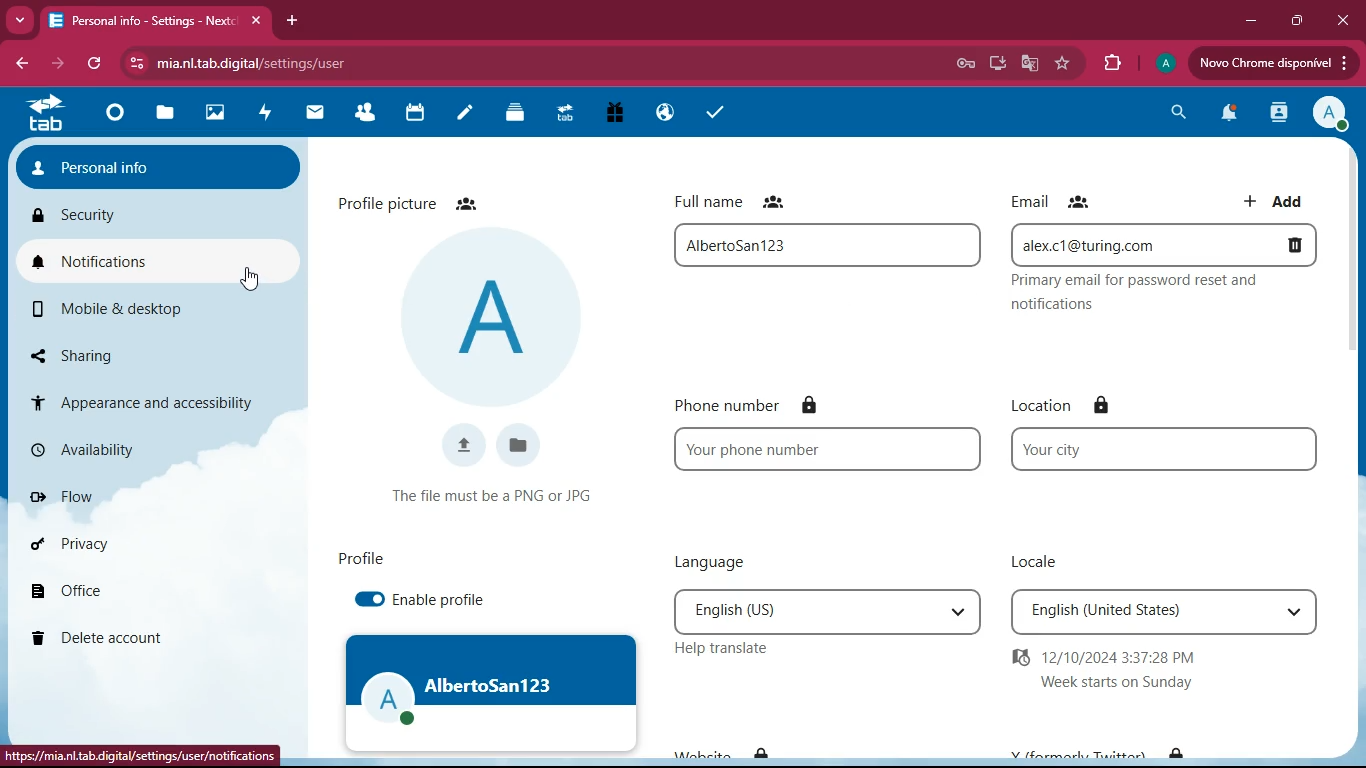 The image size is (1366, 768). I want to click on mail, so click(311, 115).